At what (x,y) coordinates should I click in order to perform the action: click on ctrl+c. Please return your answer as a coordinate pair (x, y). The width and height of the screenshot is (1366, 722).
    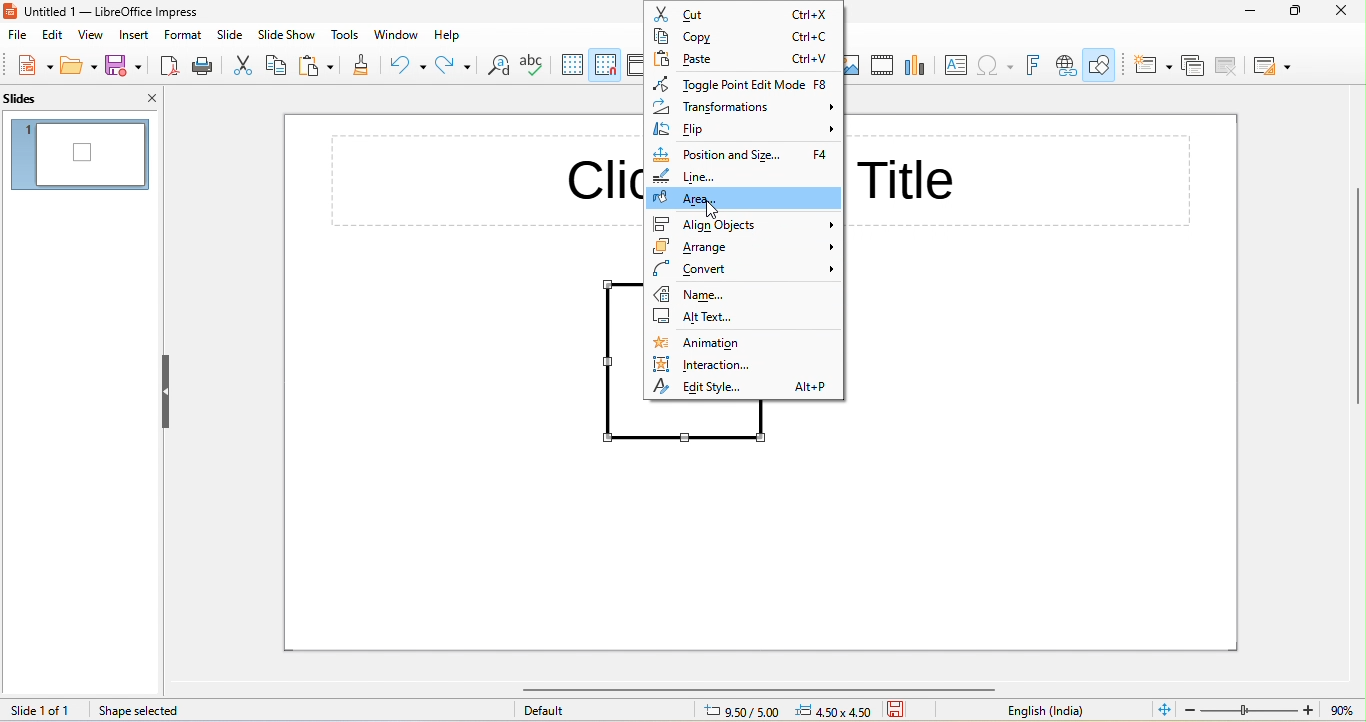
    Looking at the image, I should click on (812, 37).